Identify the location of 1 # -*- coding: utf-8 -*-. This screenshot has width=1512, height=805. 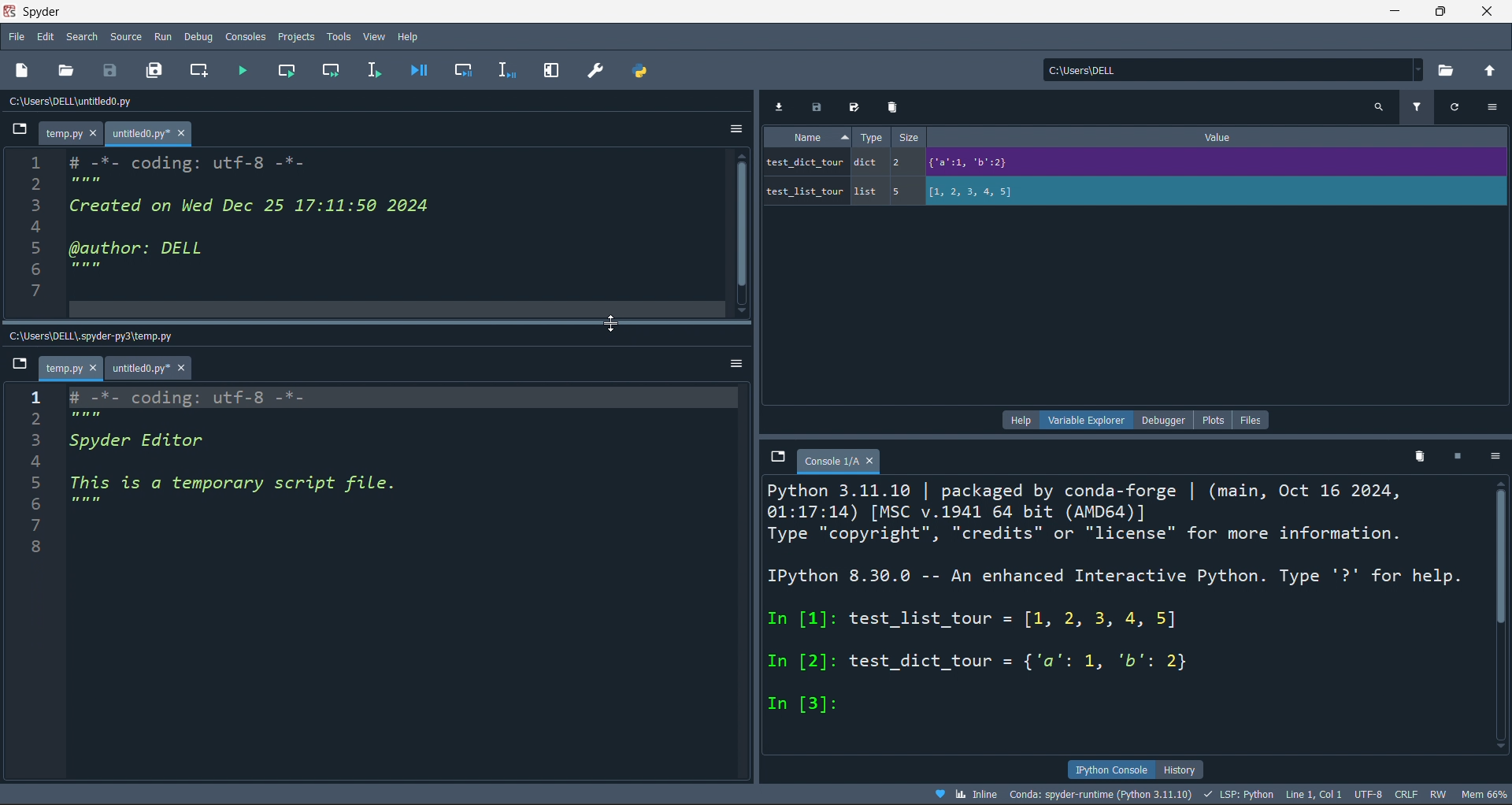
(169, 160).